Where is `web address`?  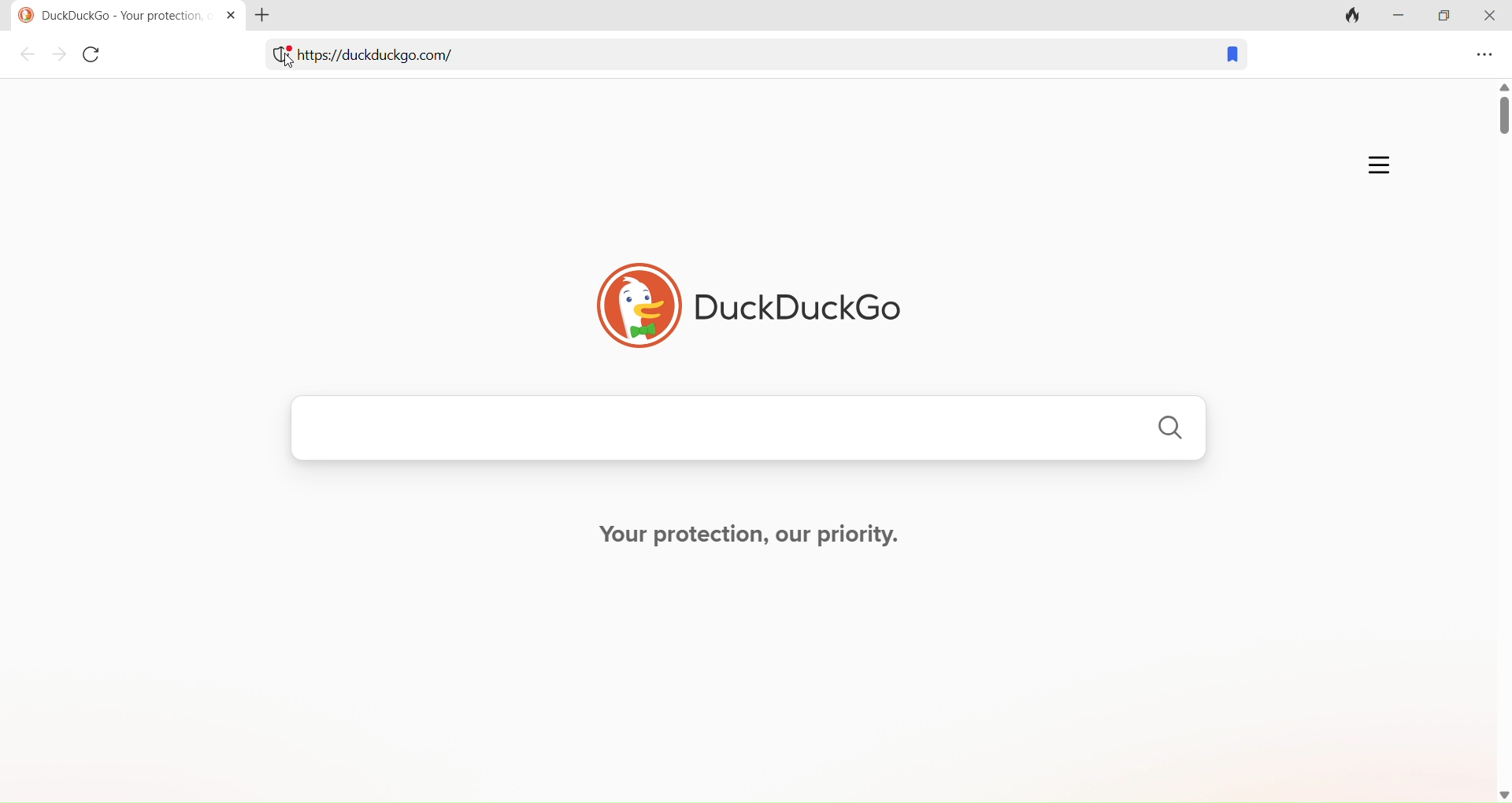 web address is located at coordinates (398, 61).